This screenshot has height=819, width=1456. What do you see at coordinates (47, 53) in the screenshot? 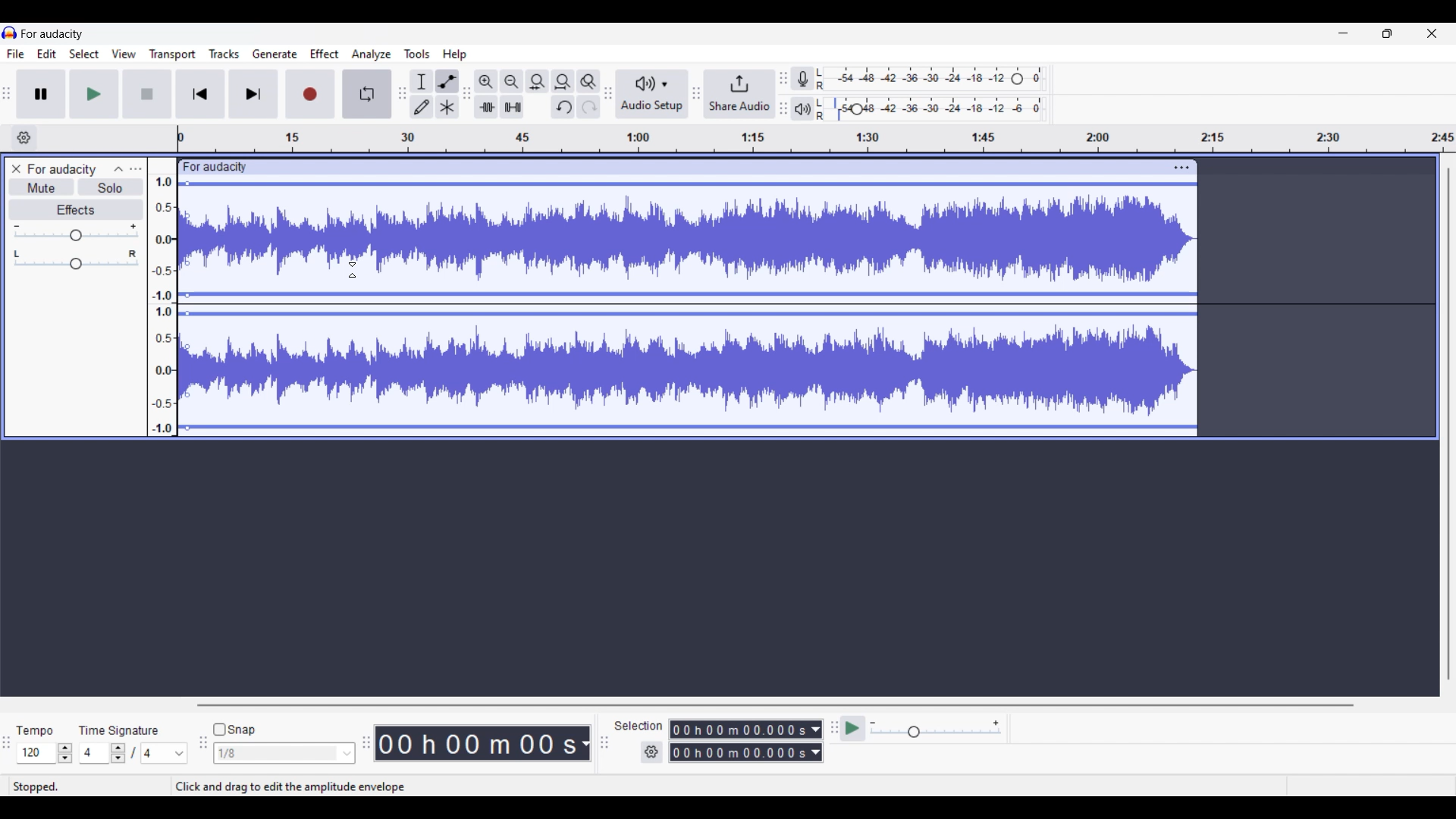
I see `Edit` at bounding box center [47, 53].